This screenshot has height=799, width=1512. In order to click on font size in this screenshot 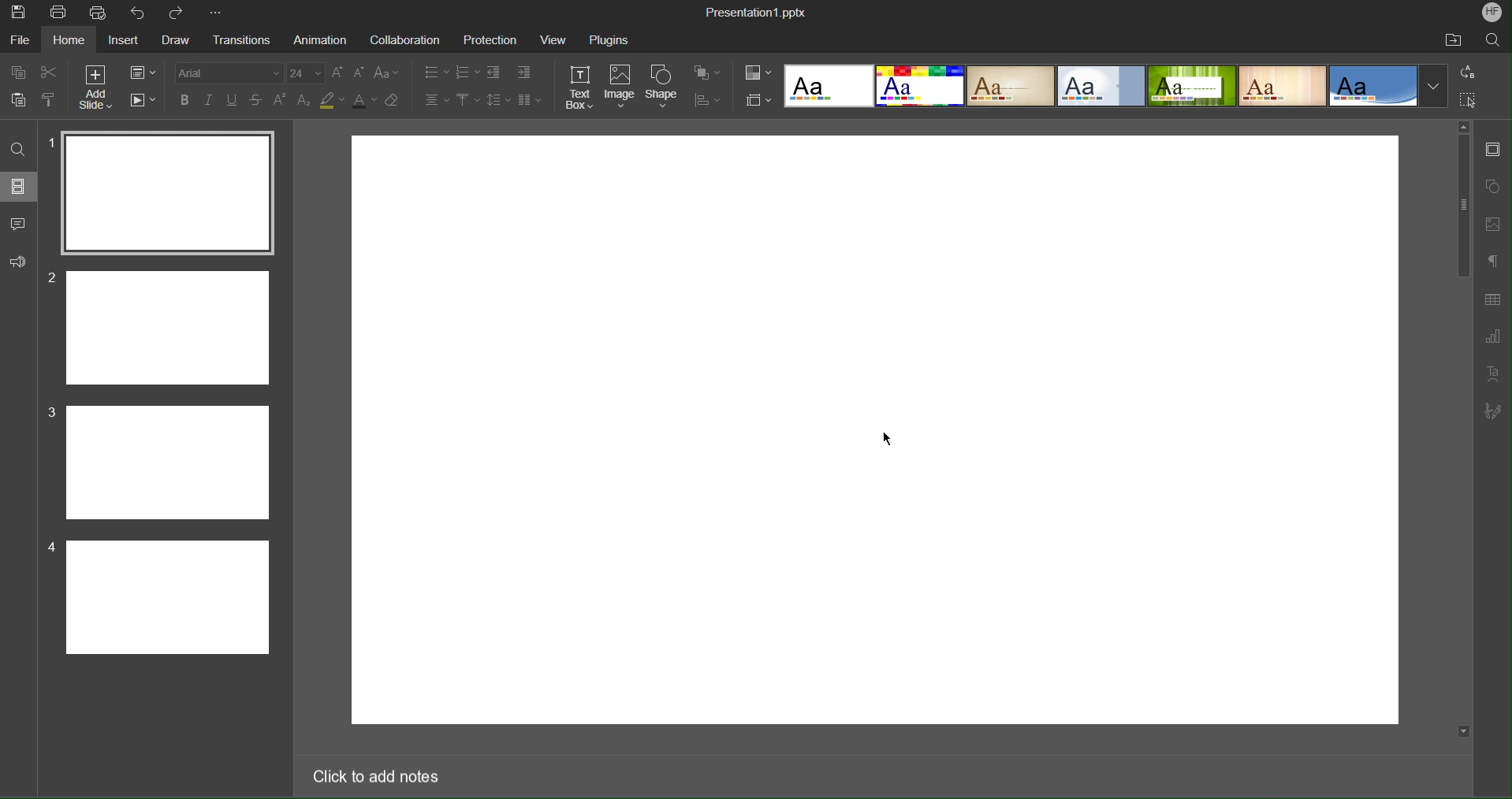, I will do `click(305, 73)`.